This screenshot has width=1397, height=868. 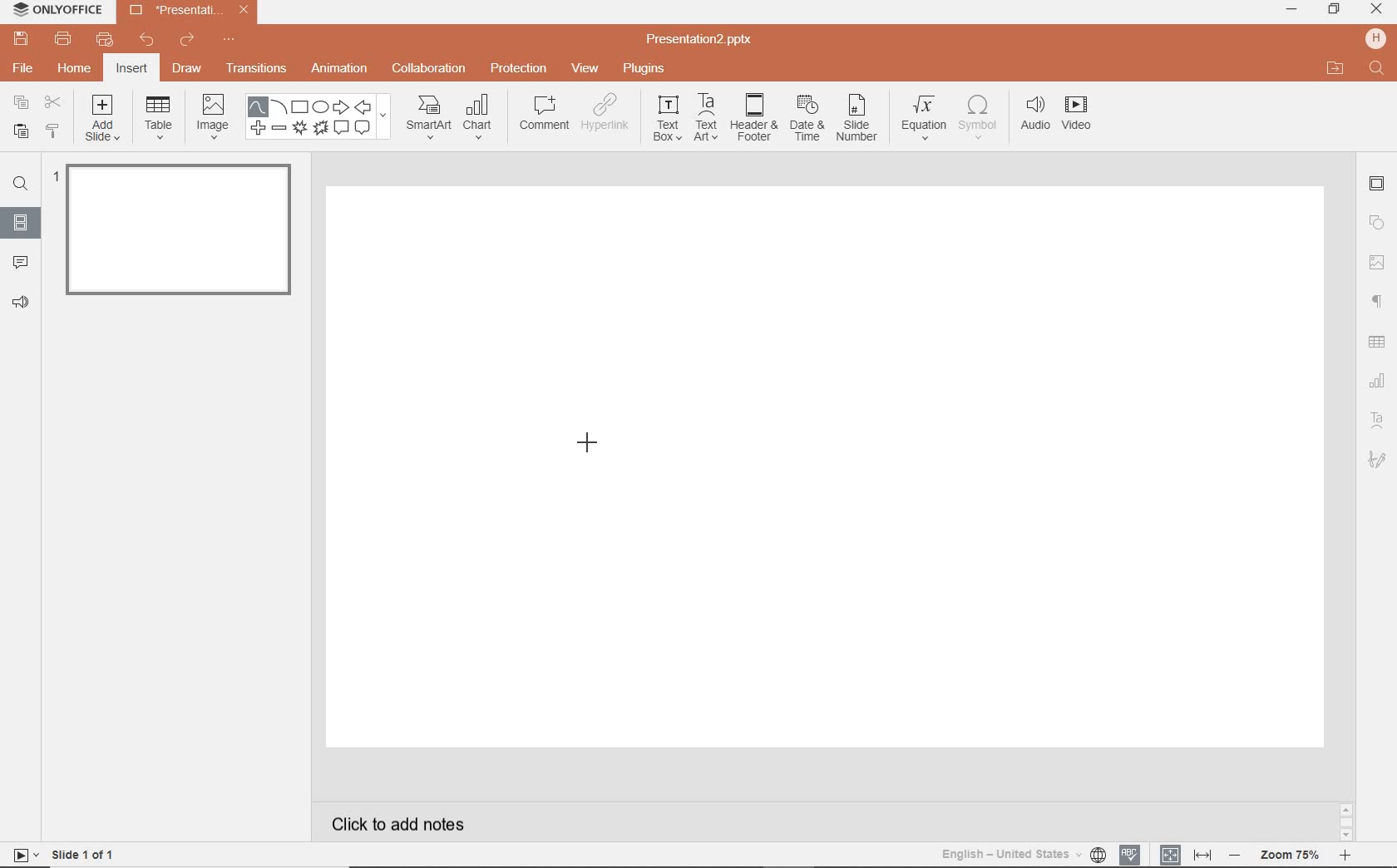 I want to click on COLLABORATION, so click(x=429, y=67).